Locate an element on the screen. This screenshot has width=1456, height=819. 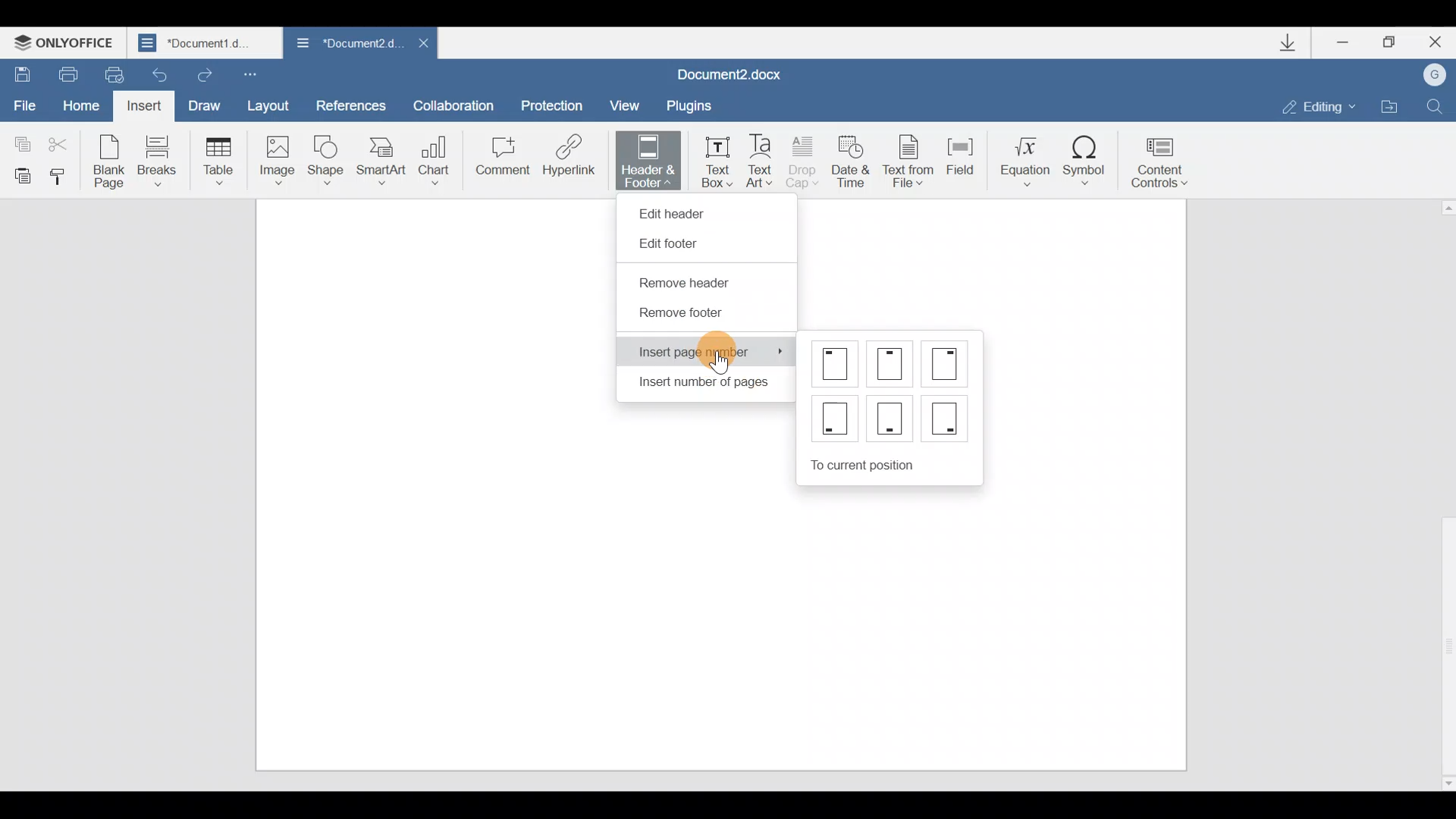
Position 3 is located at coordinates (947, 362).